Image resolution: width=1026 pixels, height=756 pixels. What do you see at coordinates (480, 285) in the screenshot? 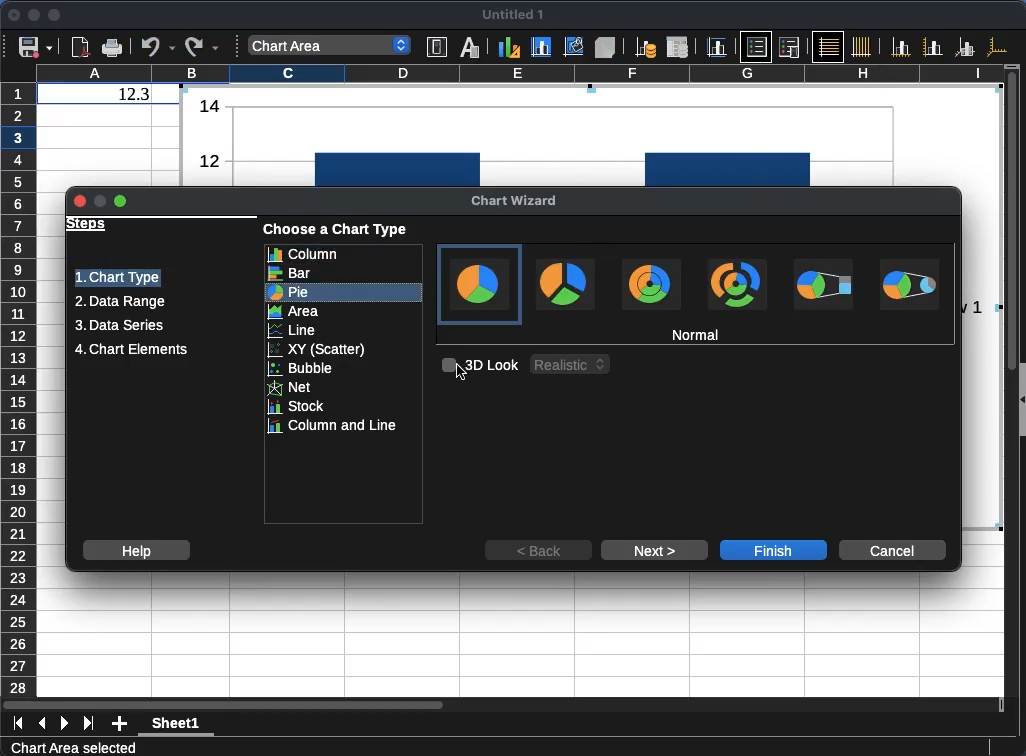
I see `Normal, current selection` at bounding box center [480, 285].